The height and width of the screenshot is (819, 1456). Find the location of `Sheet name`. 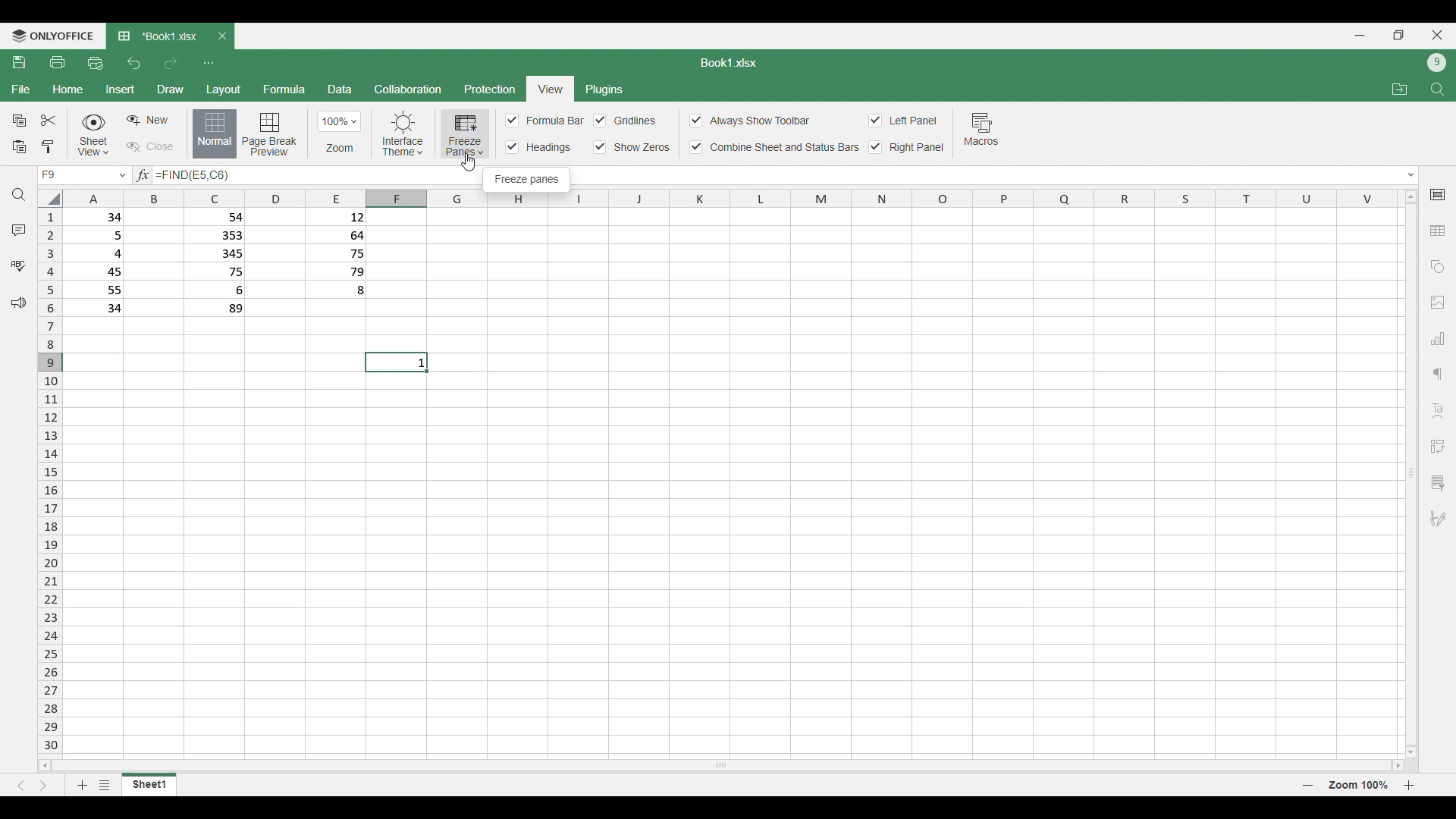

Sheet name is located at coordinates (729, 62).